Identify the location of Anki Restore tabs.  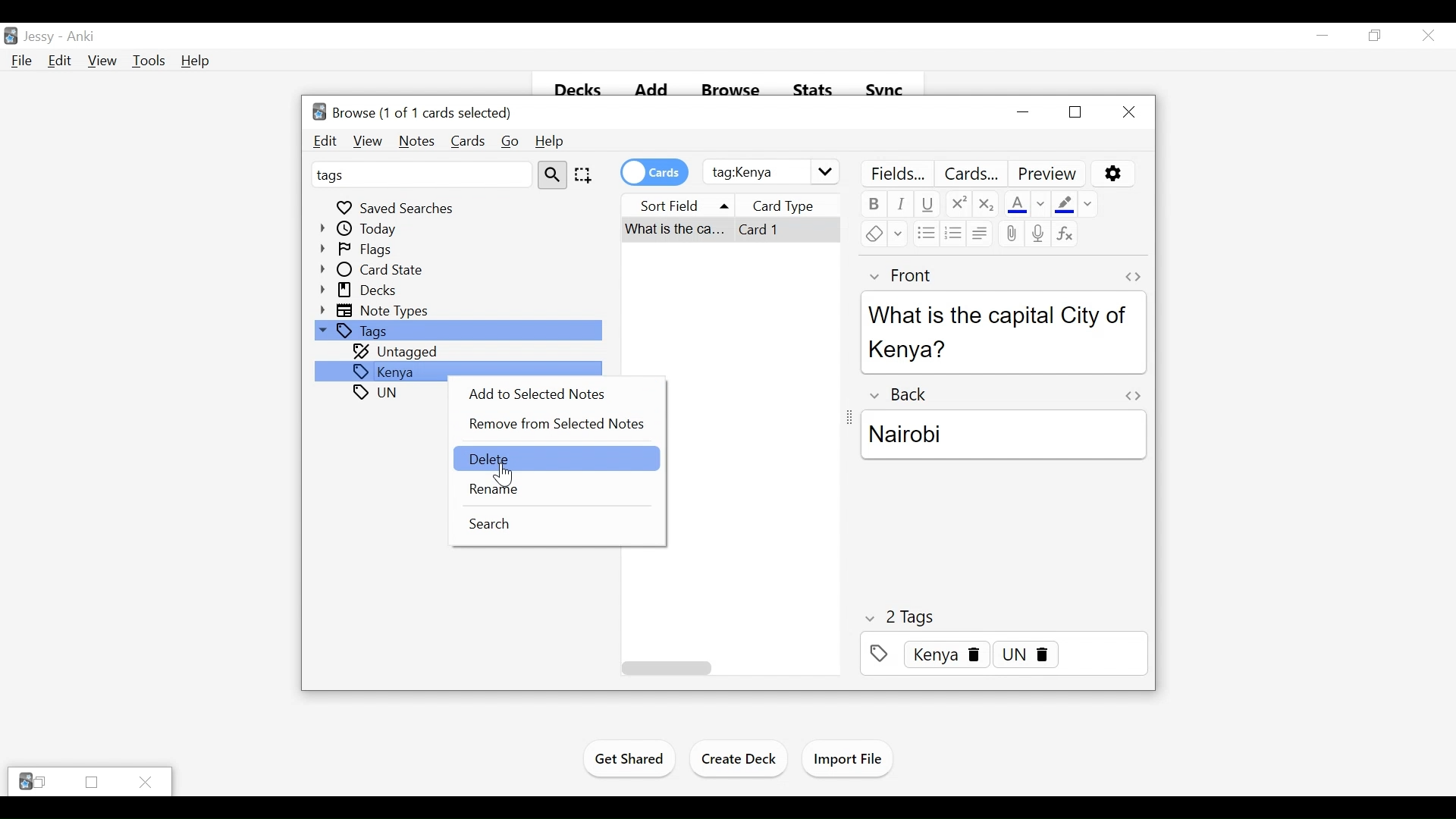
(33, 782).